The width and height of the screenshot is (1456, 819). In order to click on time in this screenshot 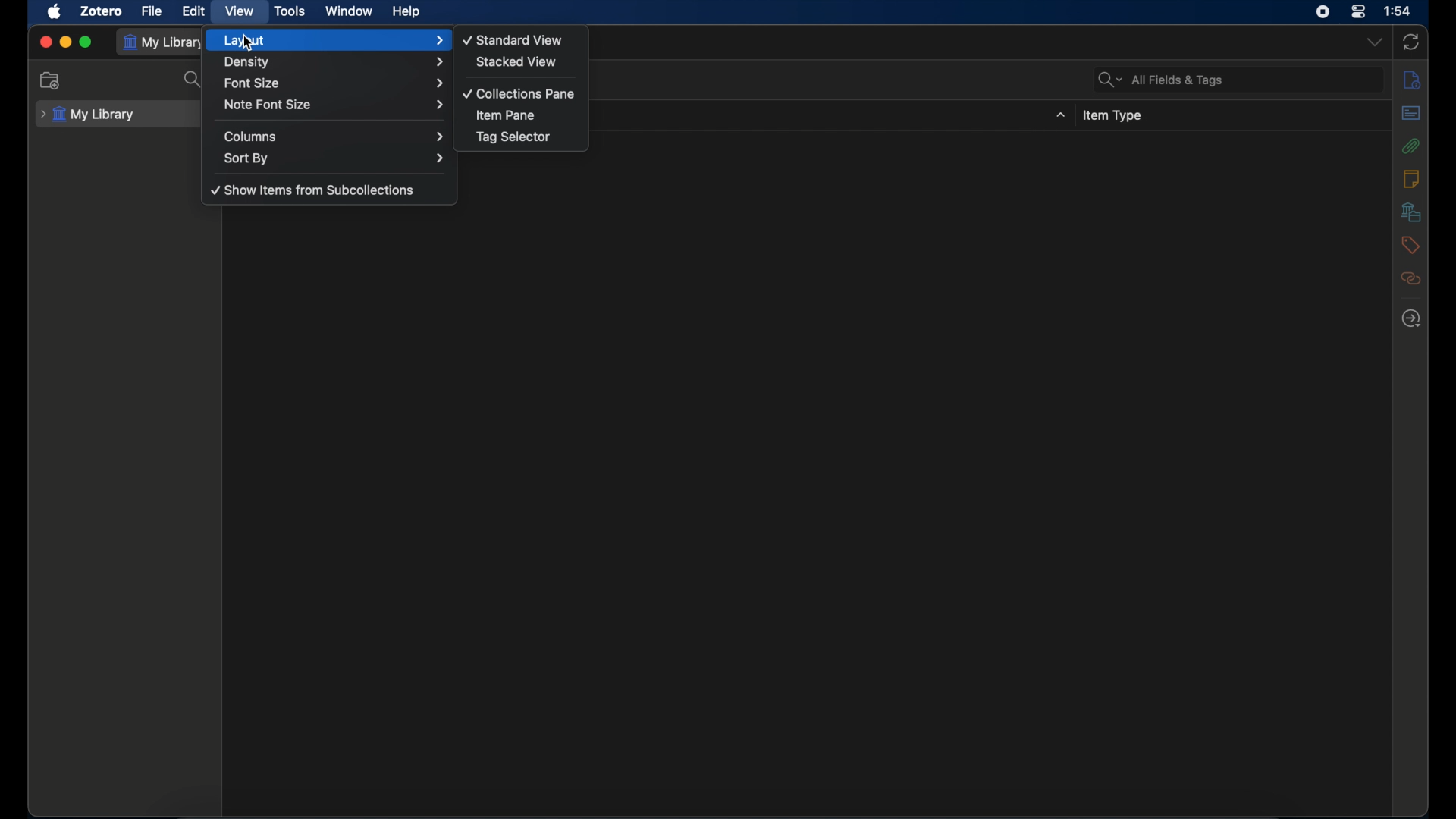, I will do `click(1398, 11)`.